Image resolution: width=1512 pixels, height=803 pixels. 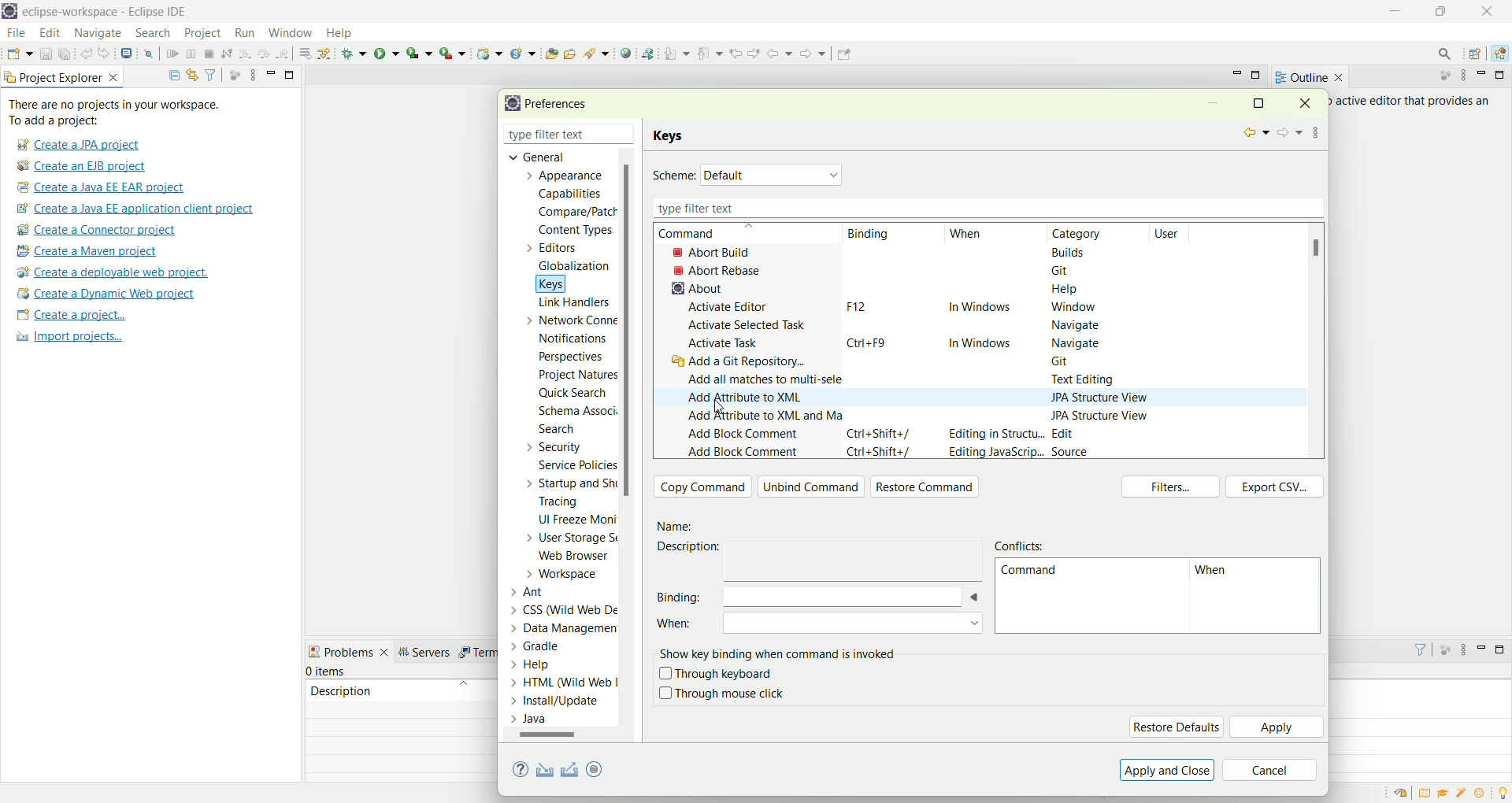 I want to click on activate selected task, so click(x=748, y=324).